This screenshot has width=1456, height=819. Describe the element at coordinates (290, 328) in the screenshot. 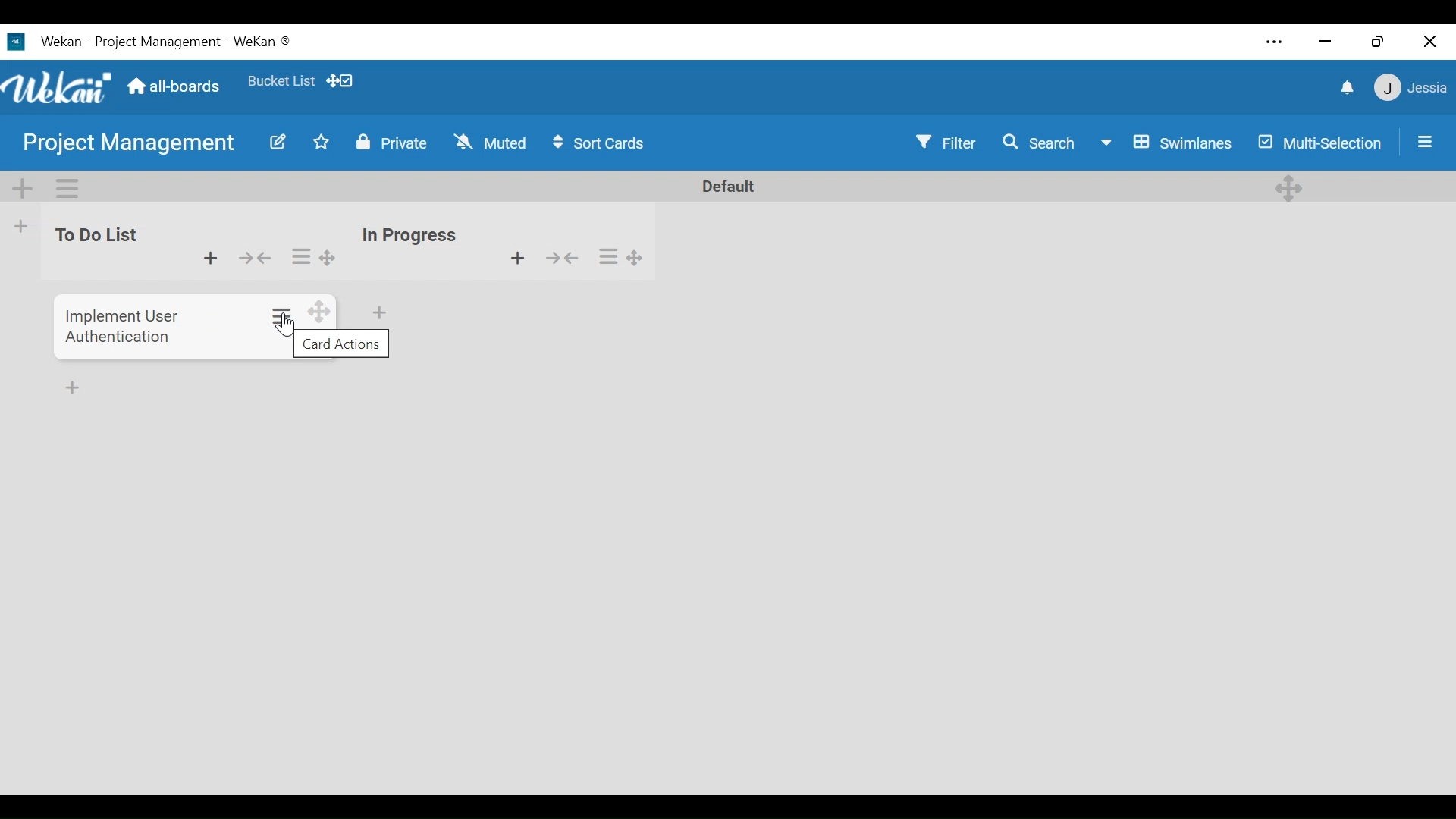

I see `cursor` at that location.